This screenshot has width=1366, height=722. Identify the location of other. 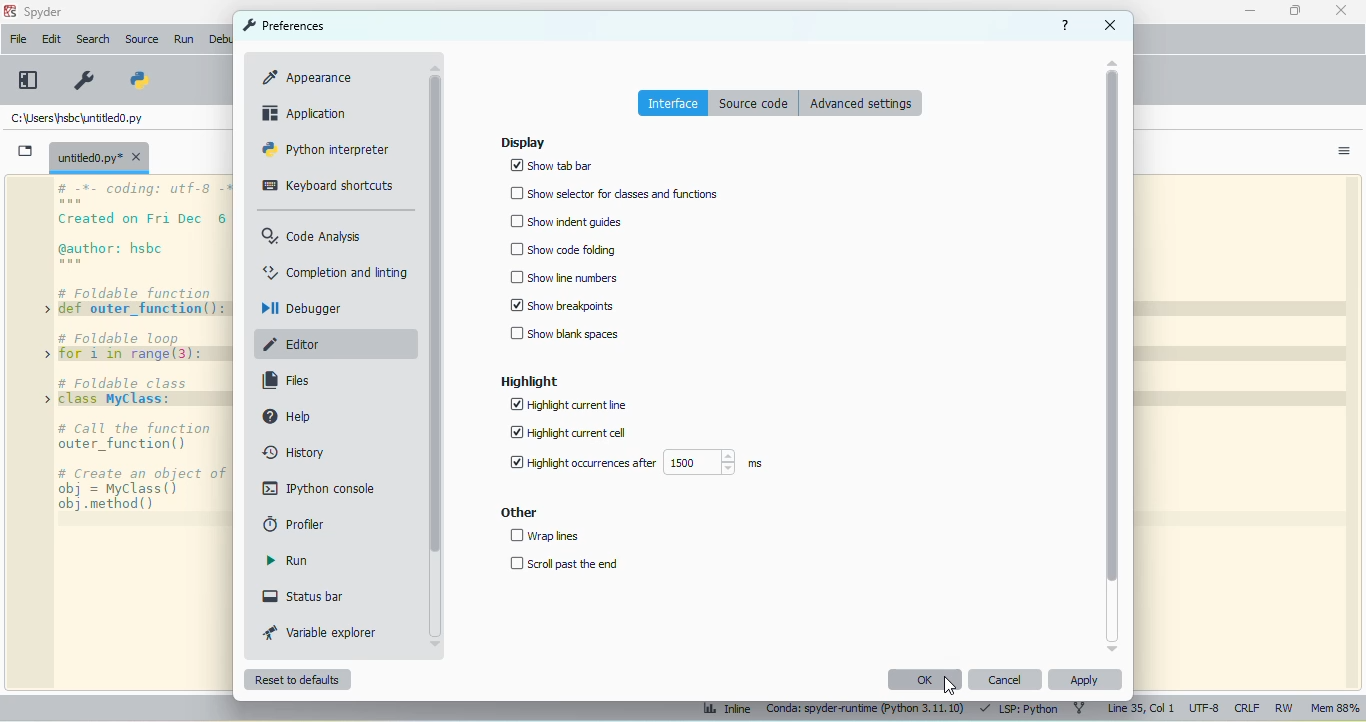
(517, 512).